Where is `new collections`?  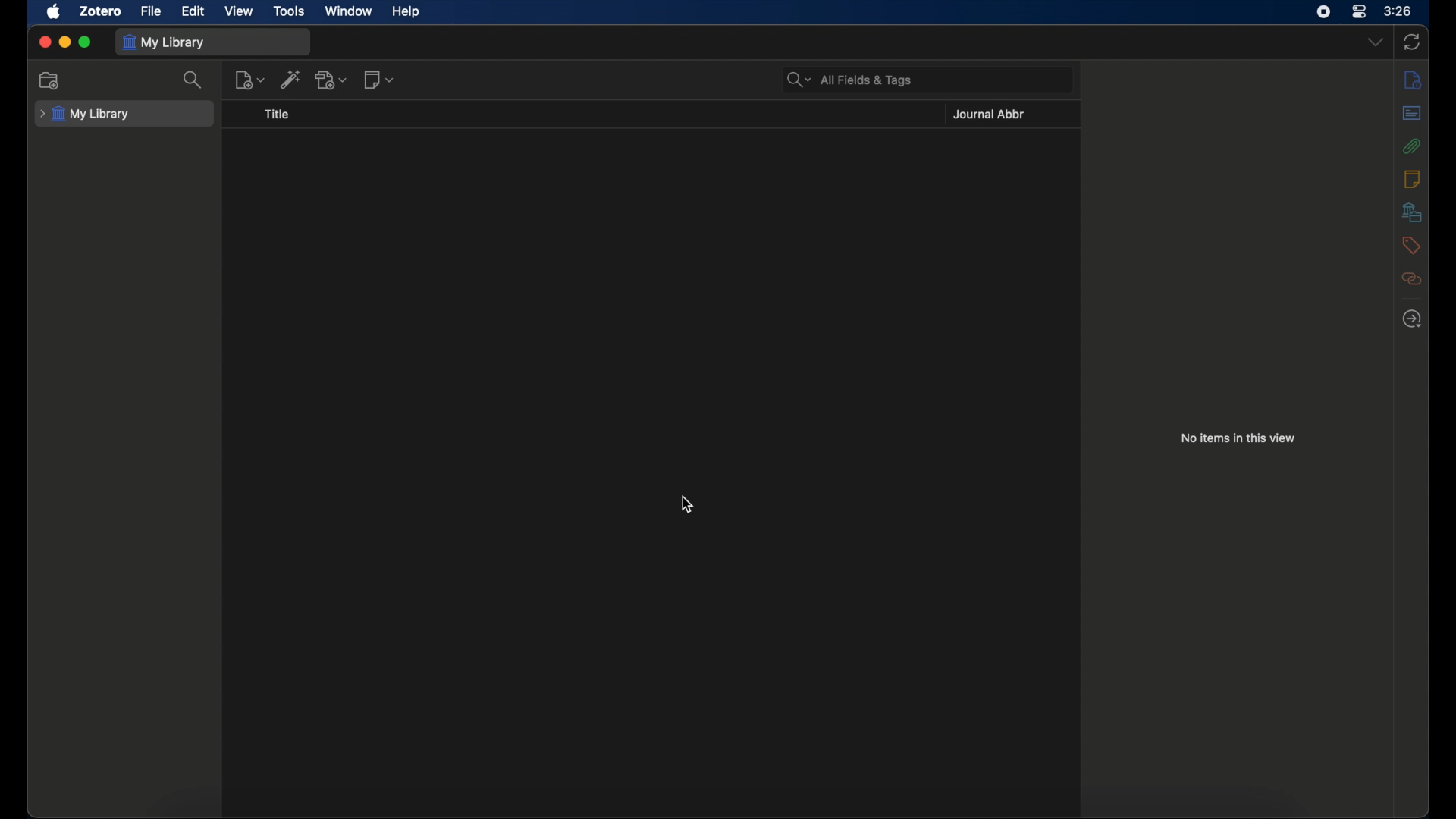 new collections is located at coordinates (49, 80).